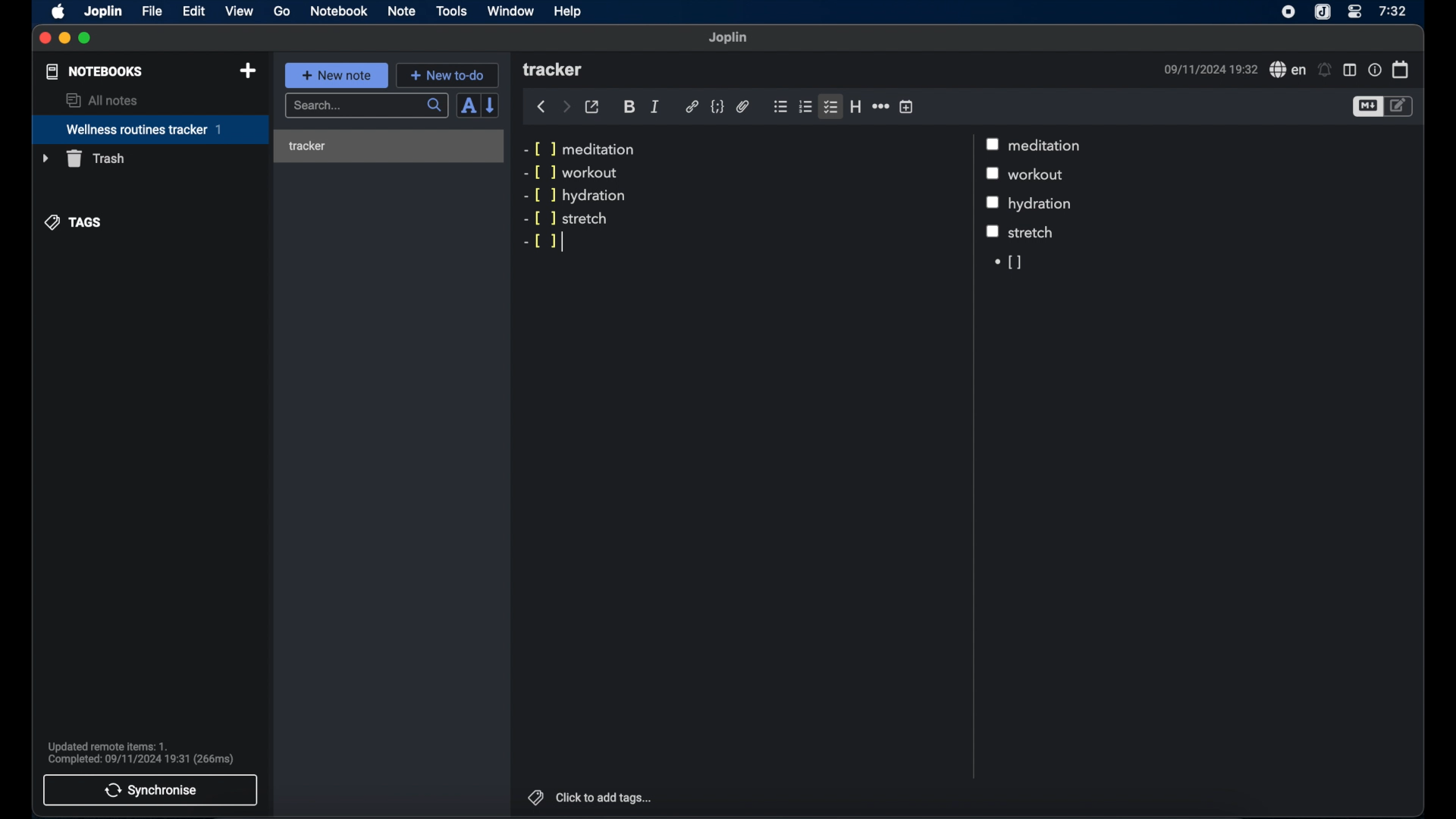 The image size is (1456, 819). Describe the element at coordinates (629, 108) in the screenshot. I see `bold` at that location.